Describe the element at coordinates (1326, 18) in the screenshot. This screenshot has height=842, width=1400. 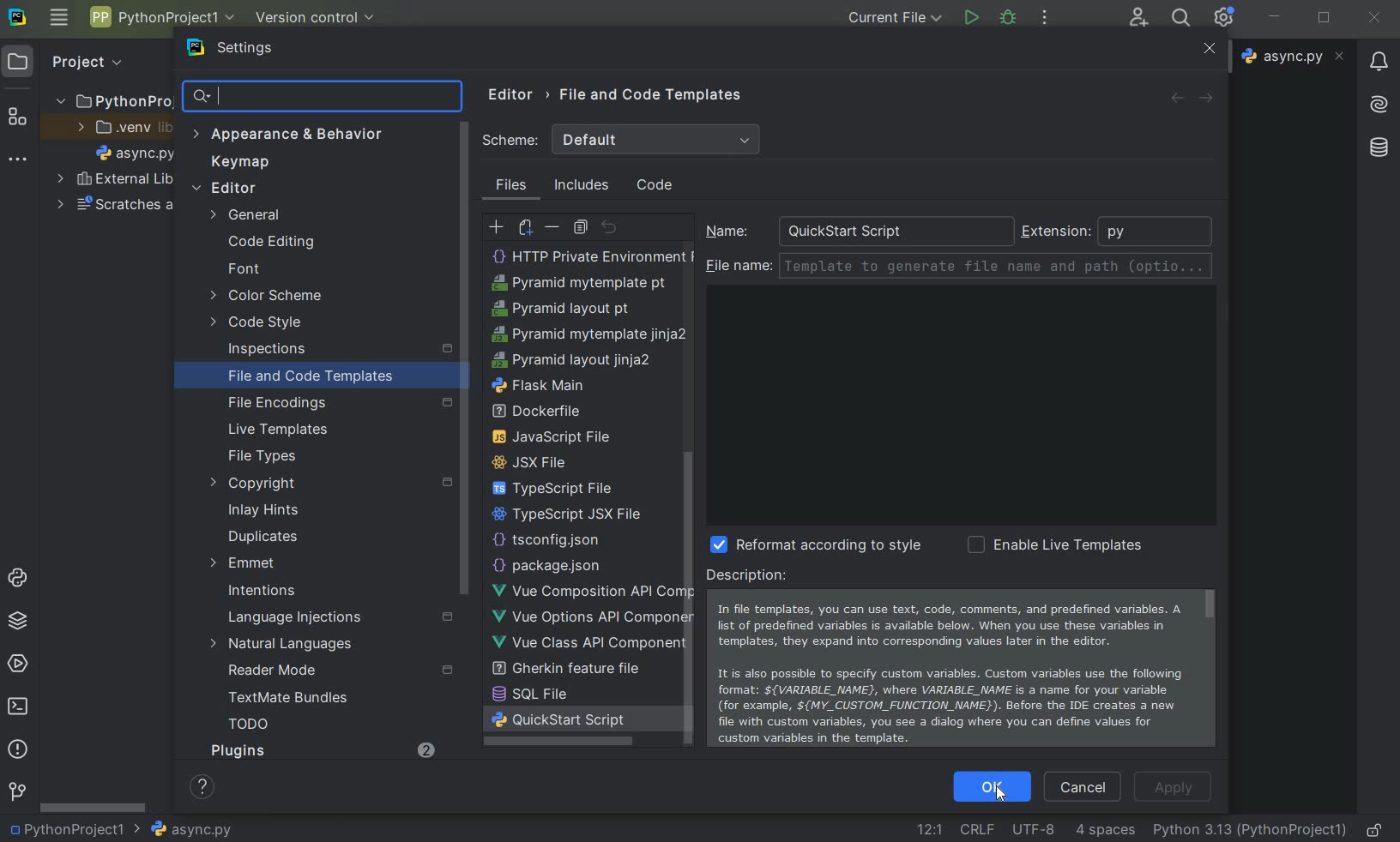
I see `restore down` at that location.